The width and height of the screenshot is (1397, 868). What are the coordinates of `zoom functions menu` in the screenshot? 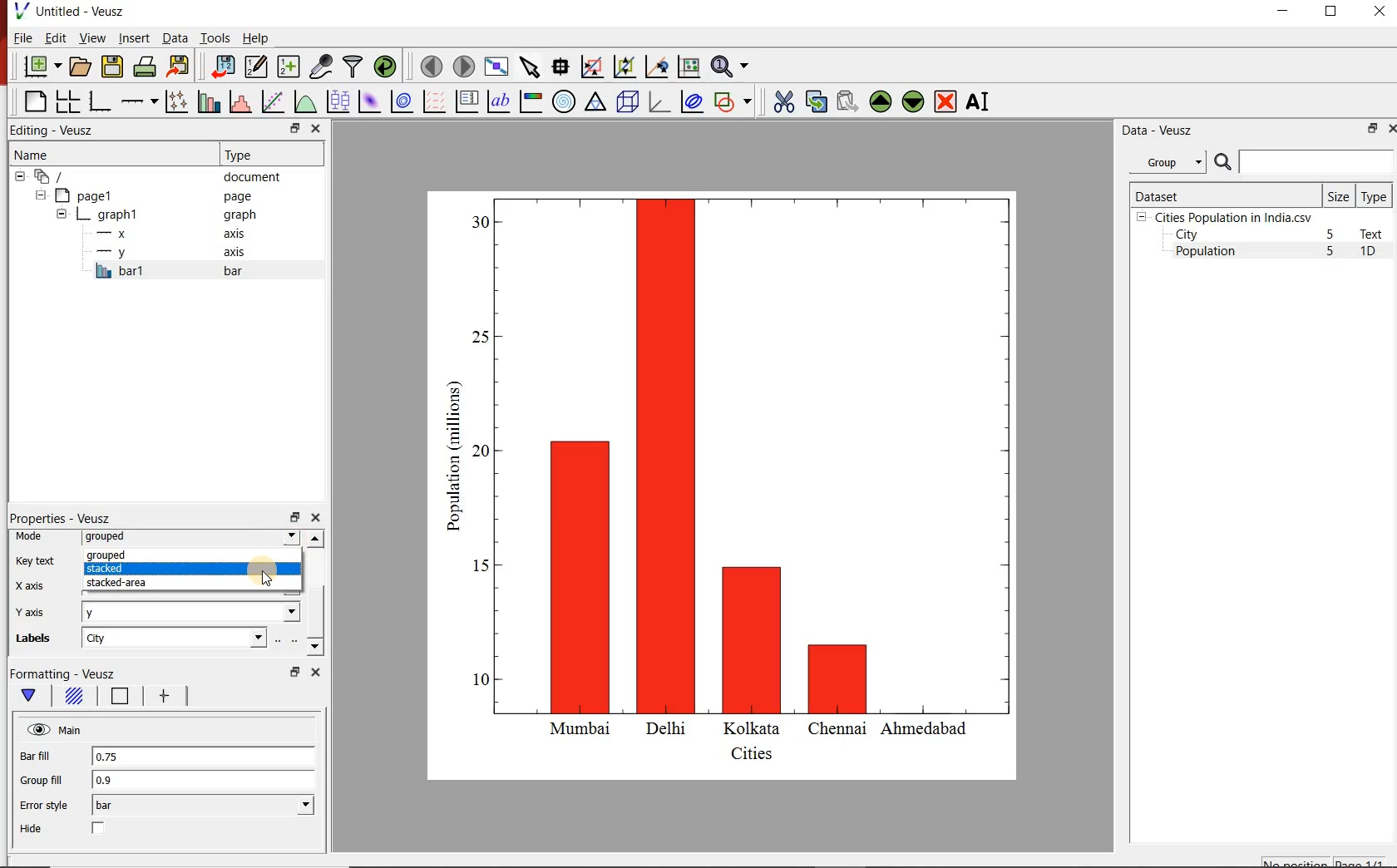 It's located at (733, 67).